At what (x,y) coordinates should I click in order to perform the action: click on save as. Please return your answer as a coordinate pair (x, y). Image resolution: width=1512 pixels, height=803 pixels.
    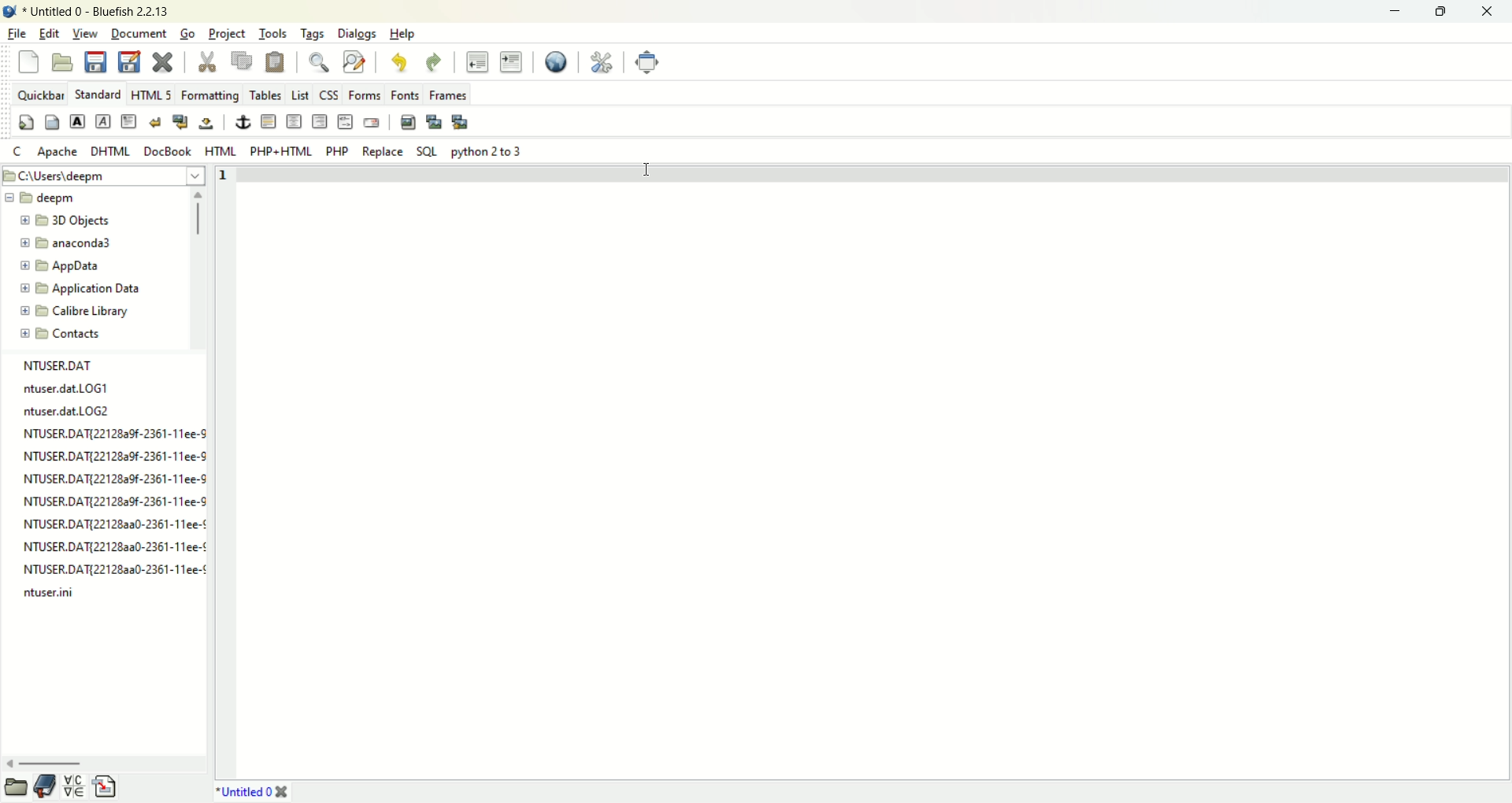
    Looking at the image, I should click on (128, 62).